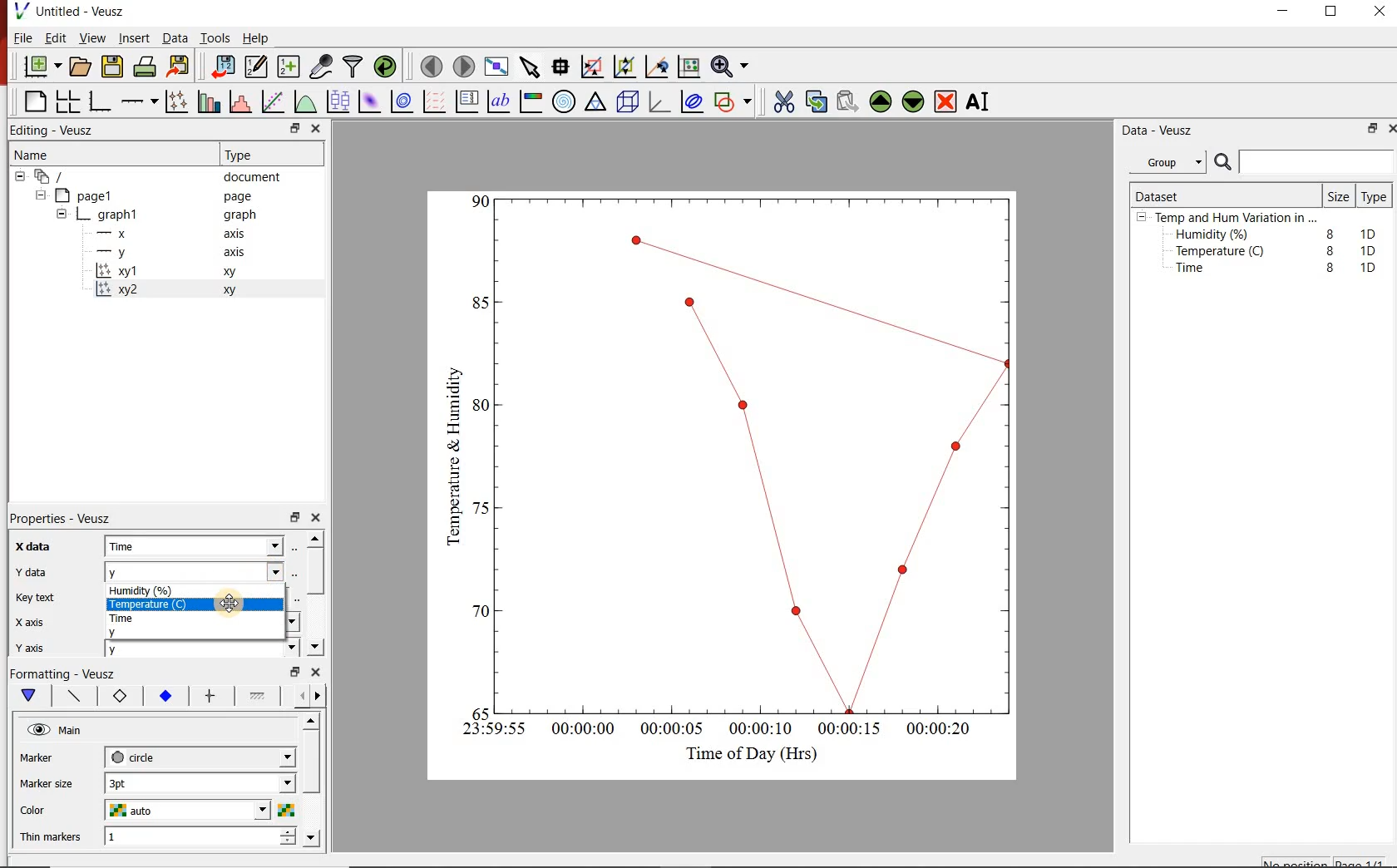  What do you see at coordinates (430, 67) in the screenshot?
I see `move to the previous page` at bounding box center [430, 67].